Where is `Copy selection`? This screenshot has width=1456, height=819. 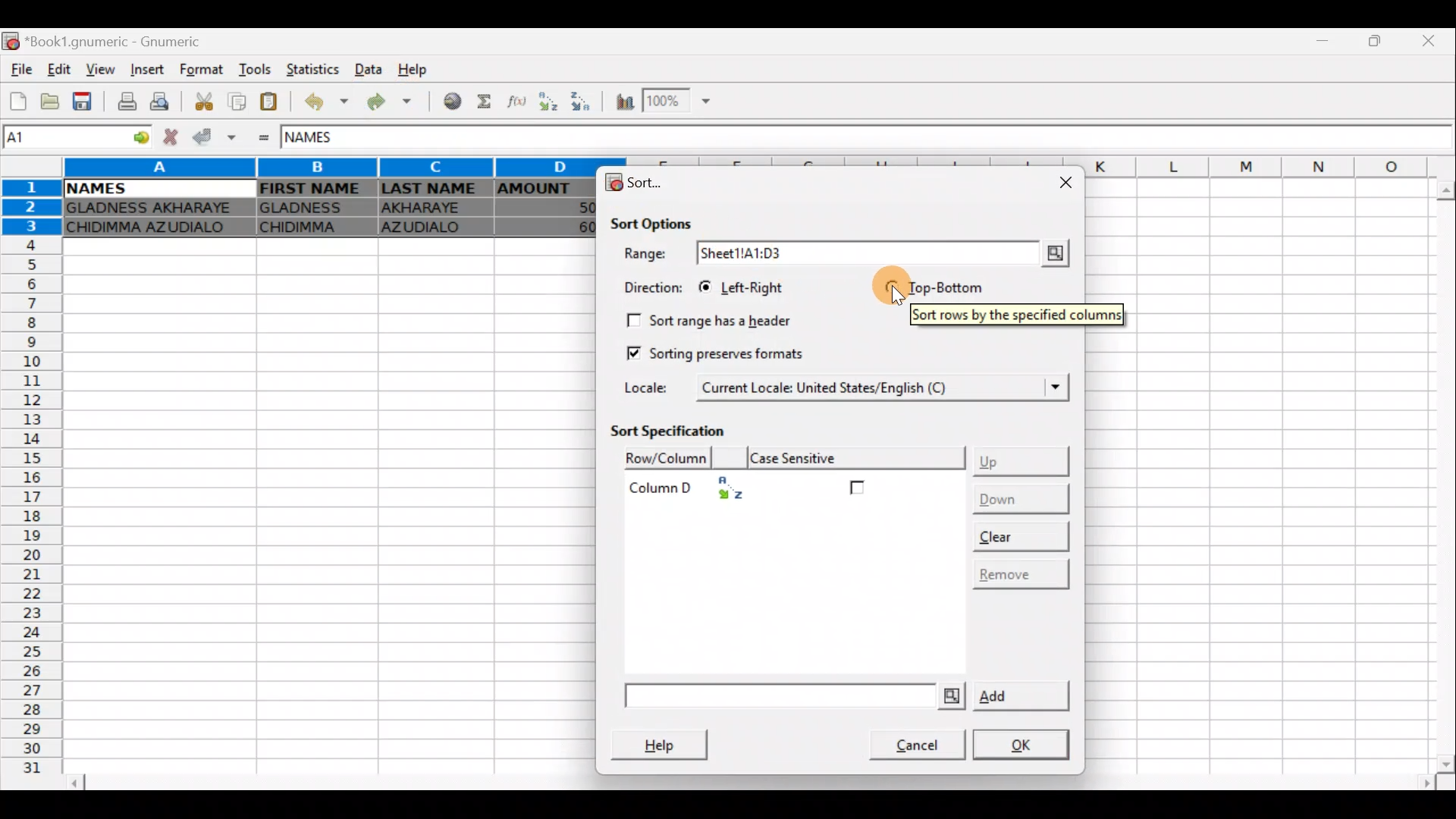
Copy selection is located at coordinates (237, 102).